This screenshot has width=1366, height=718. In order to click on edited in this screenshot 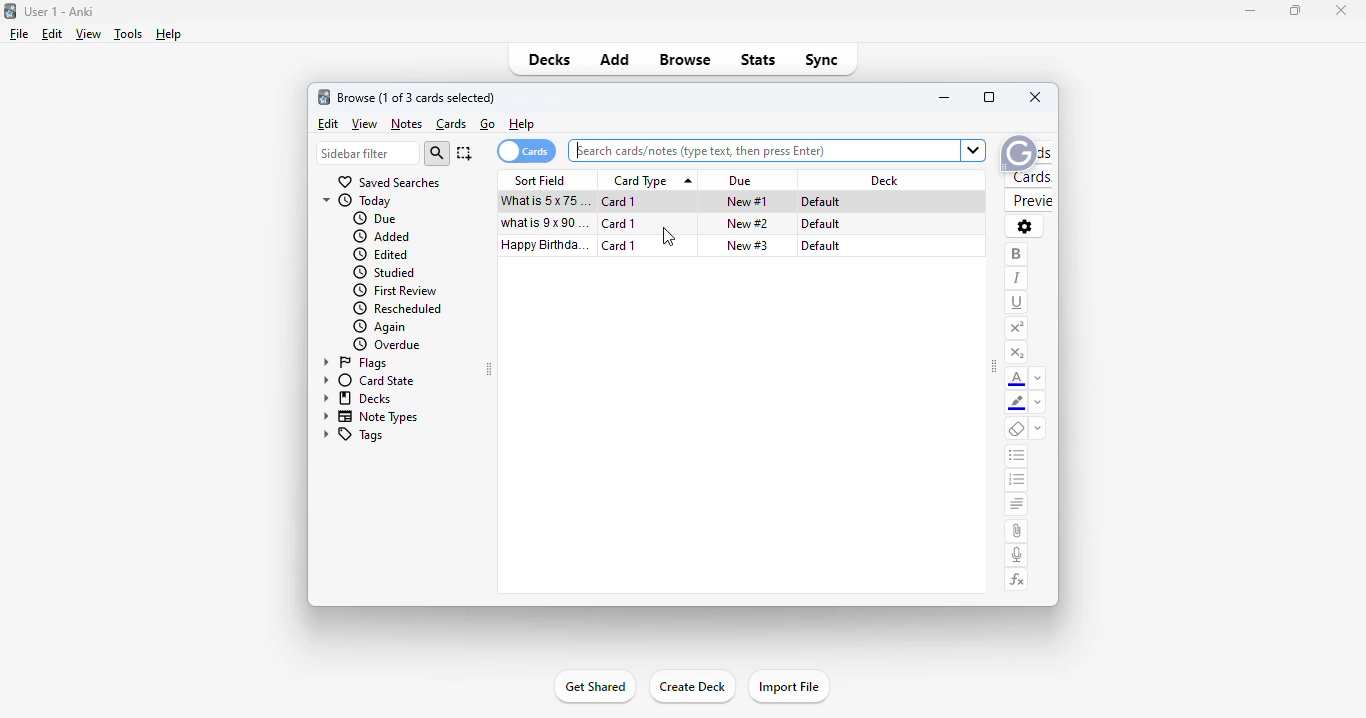, I will do `click(382, 254)`.